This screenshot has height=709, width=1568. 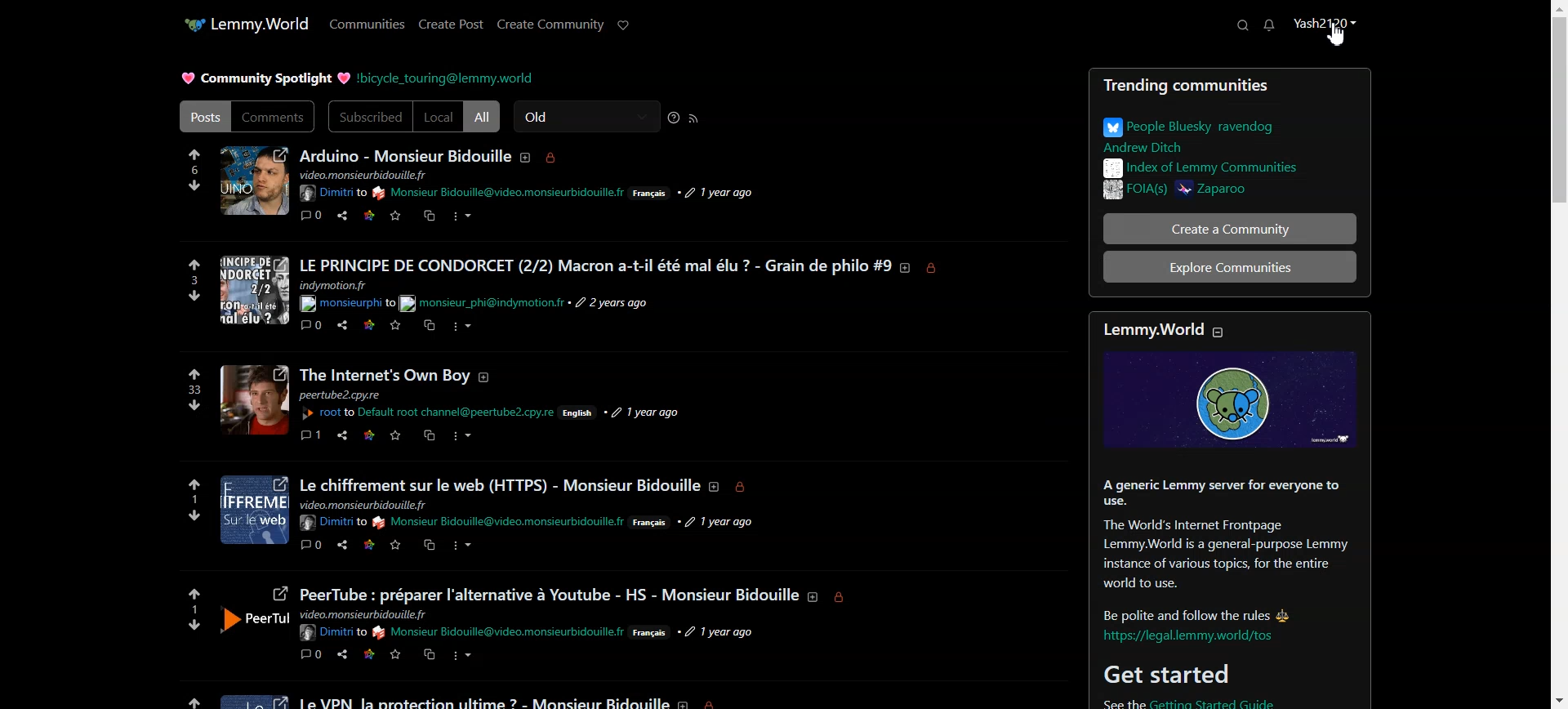 What do you see at coordinates (430, 548) in the screenshot?
I see `copy` at bounding box center [430, 548].